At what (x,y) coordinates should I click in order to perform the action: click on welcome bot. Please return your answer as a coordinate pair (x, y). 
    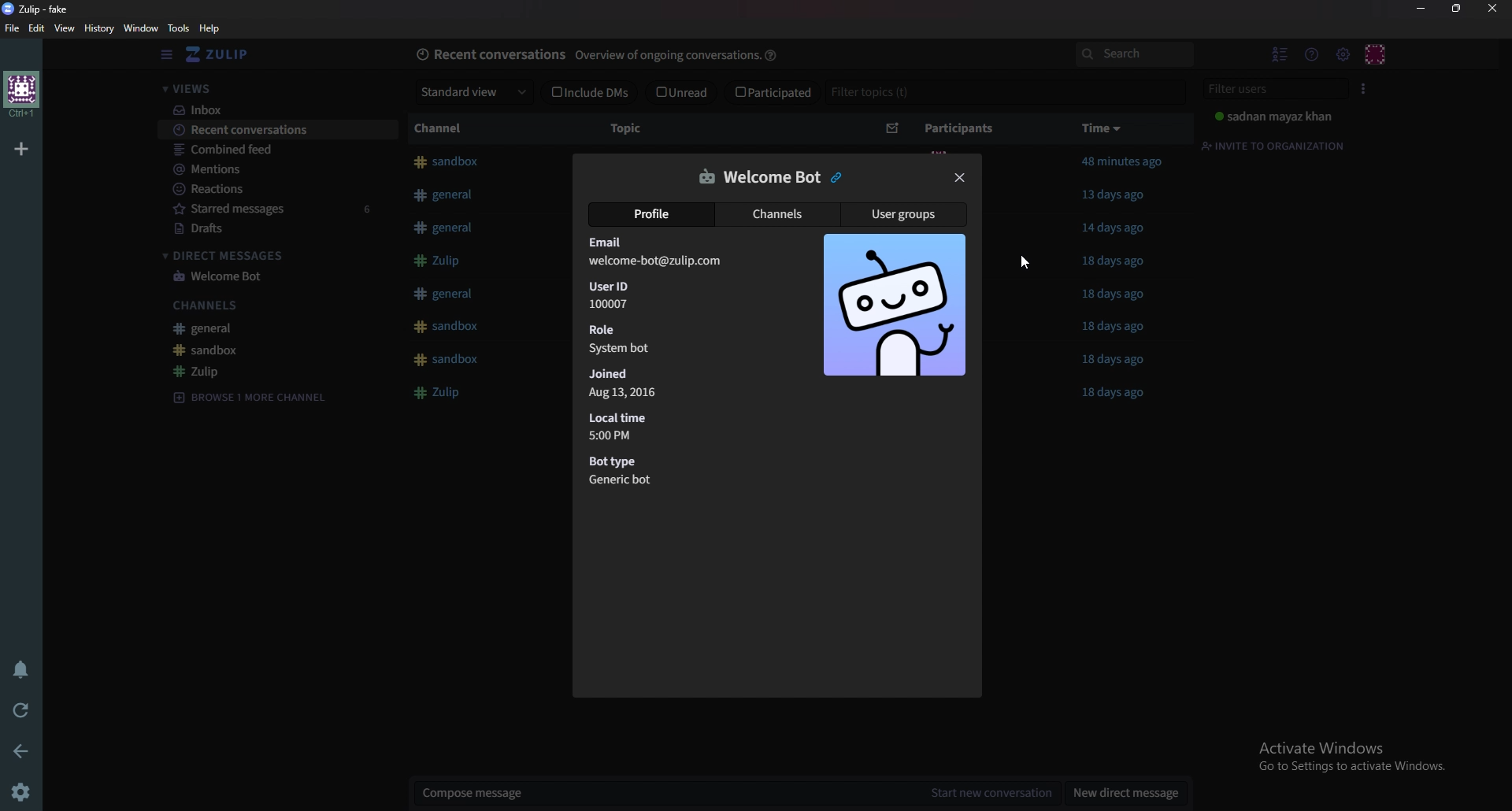
    Looking at the image, I should click on (277, 277).